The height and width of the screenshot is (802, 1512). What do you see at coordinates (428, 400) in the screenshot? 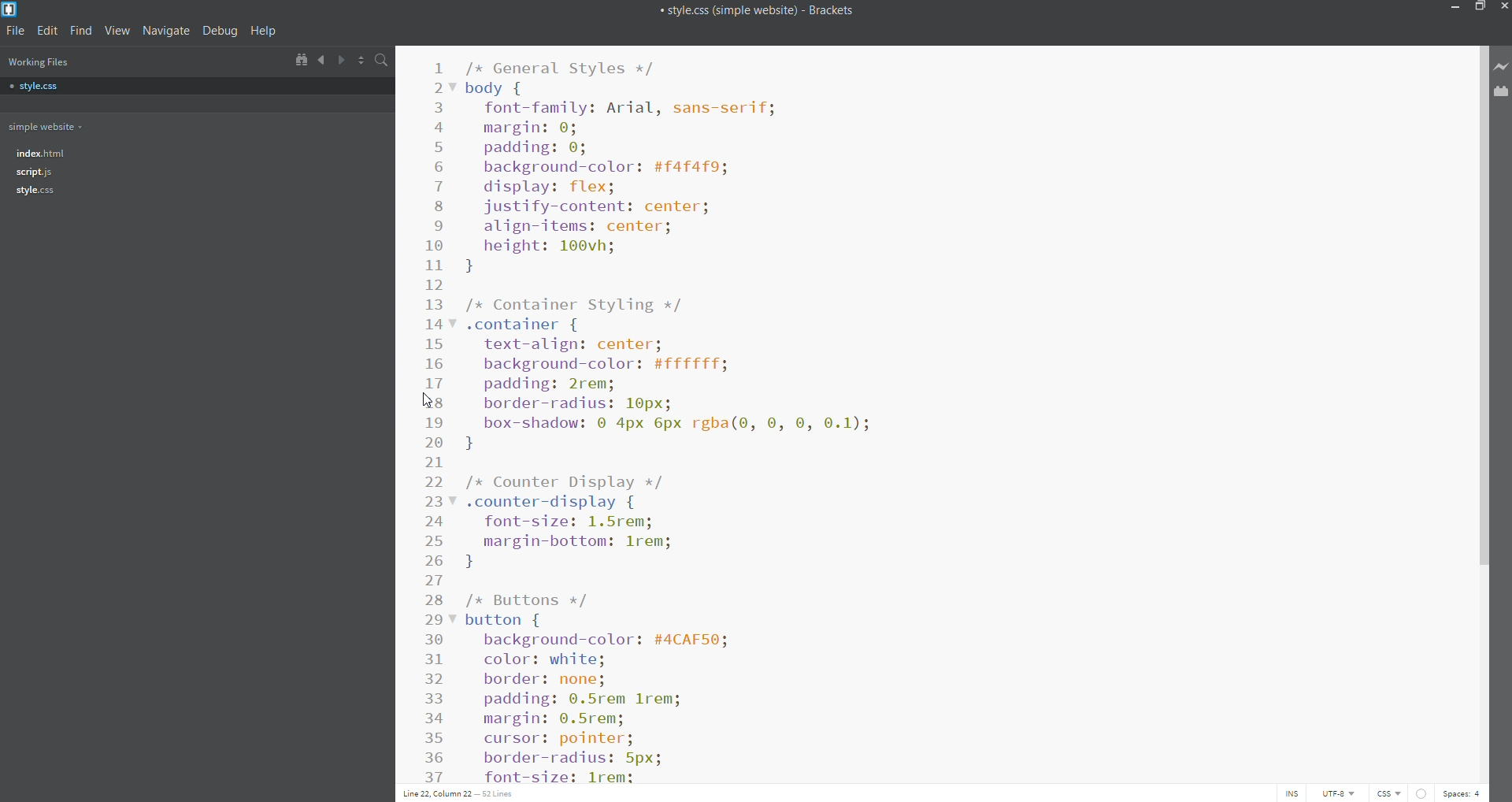
I see `cursor` at bounding box center [428, 400].